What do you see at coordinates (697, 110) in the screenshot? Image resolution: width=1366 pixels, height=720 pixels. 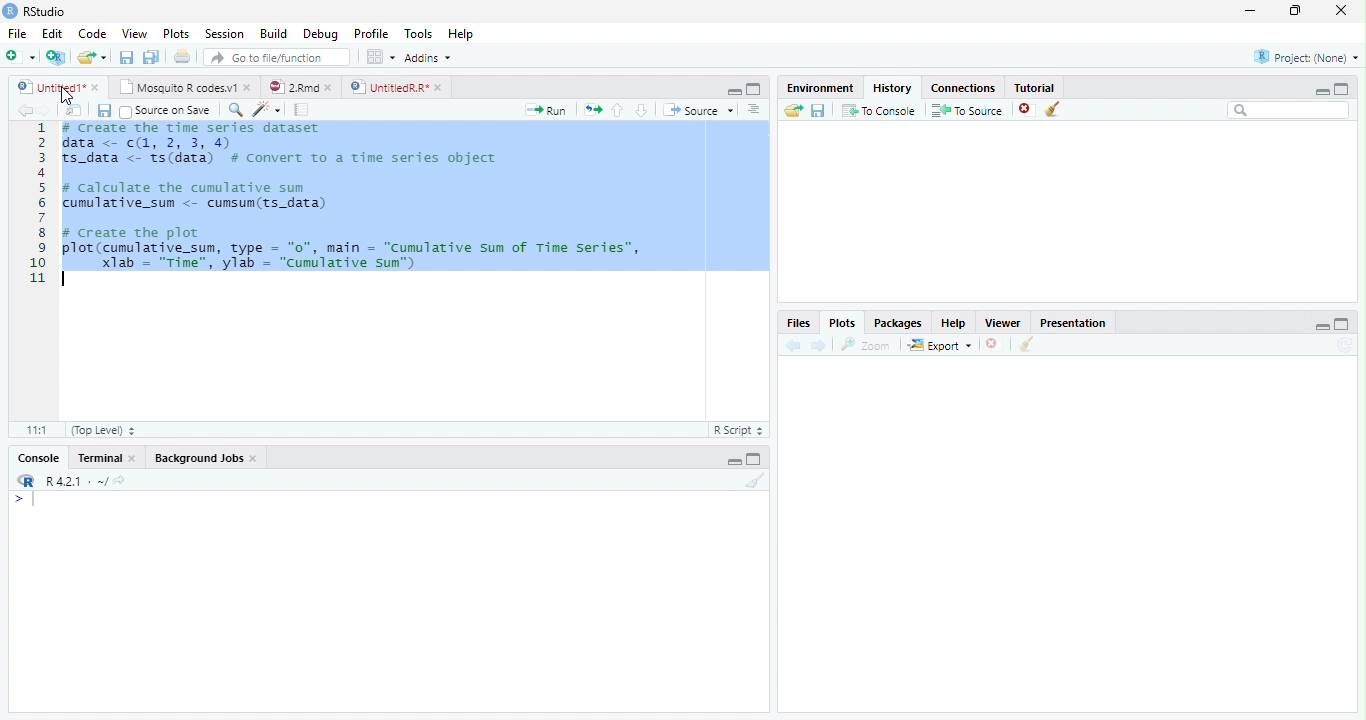 I see `Source` at bounding box center [697, 110].